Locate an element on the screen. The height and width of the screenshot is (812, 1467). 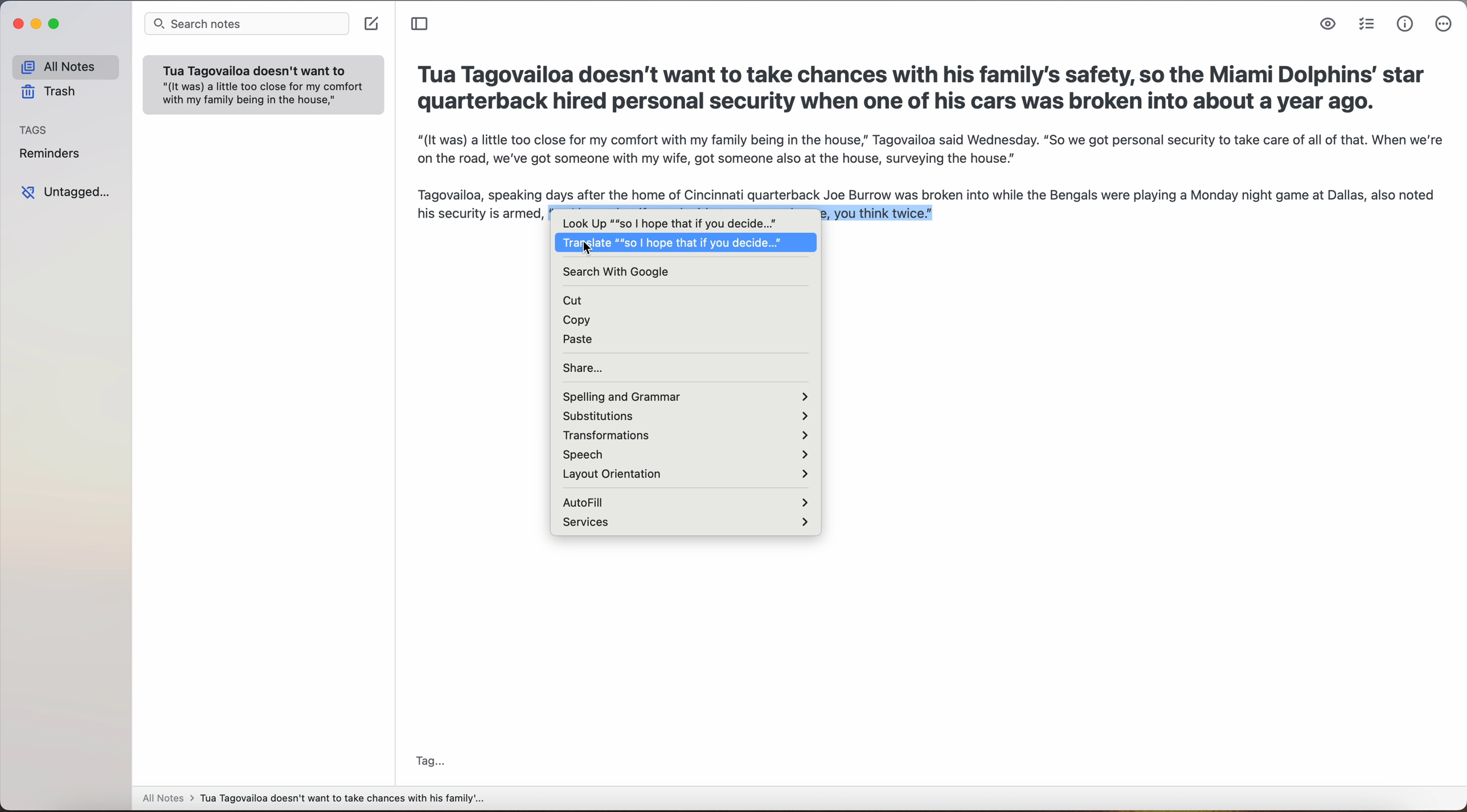
cursor is located at coordinates (592, 249).